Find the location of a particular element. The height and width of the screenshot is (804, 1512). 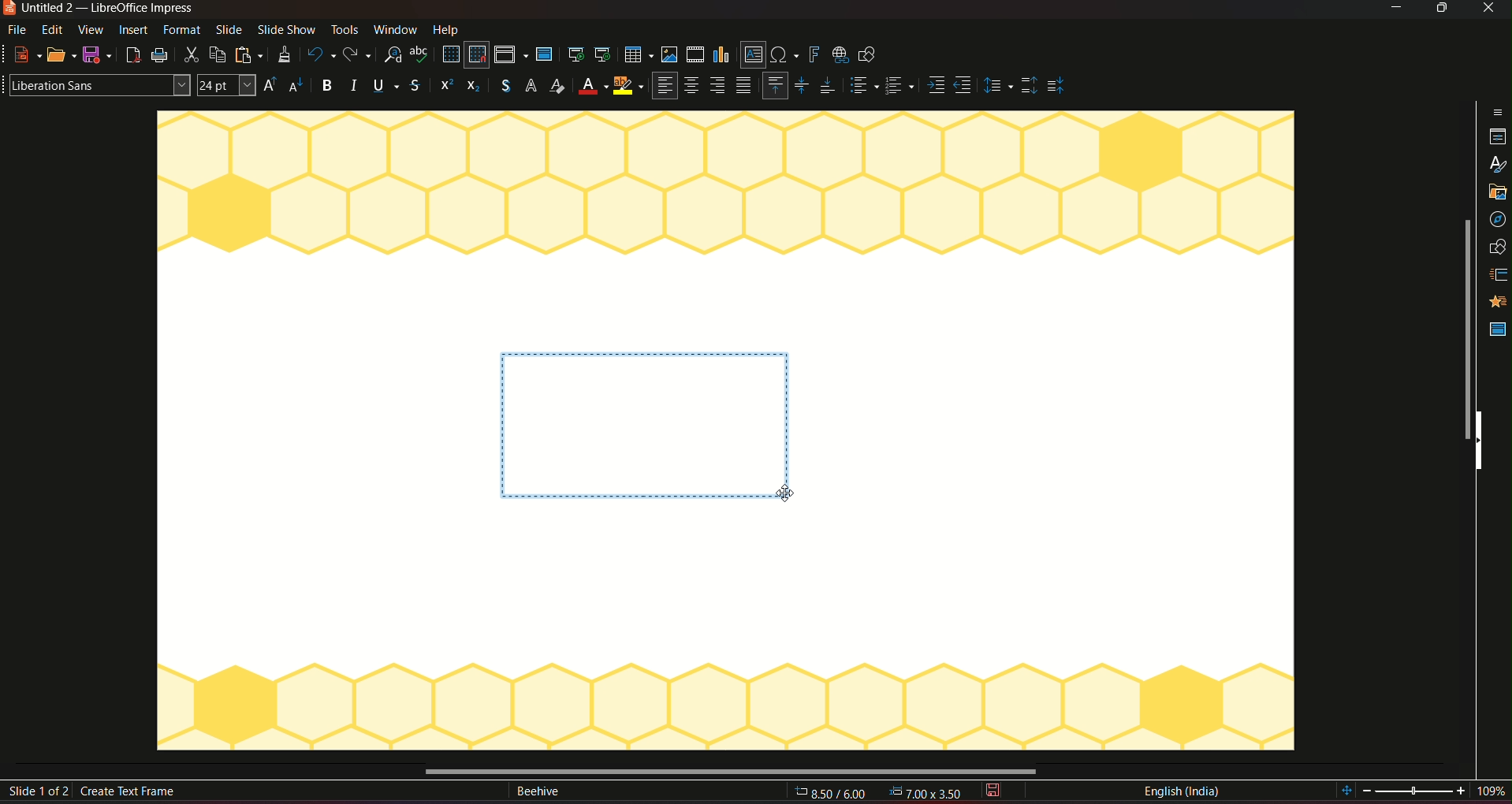

help is located at coordinates (448, 28).